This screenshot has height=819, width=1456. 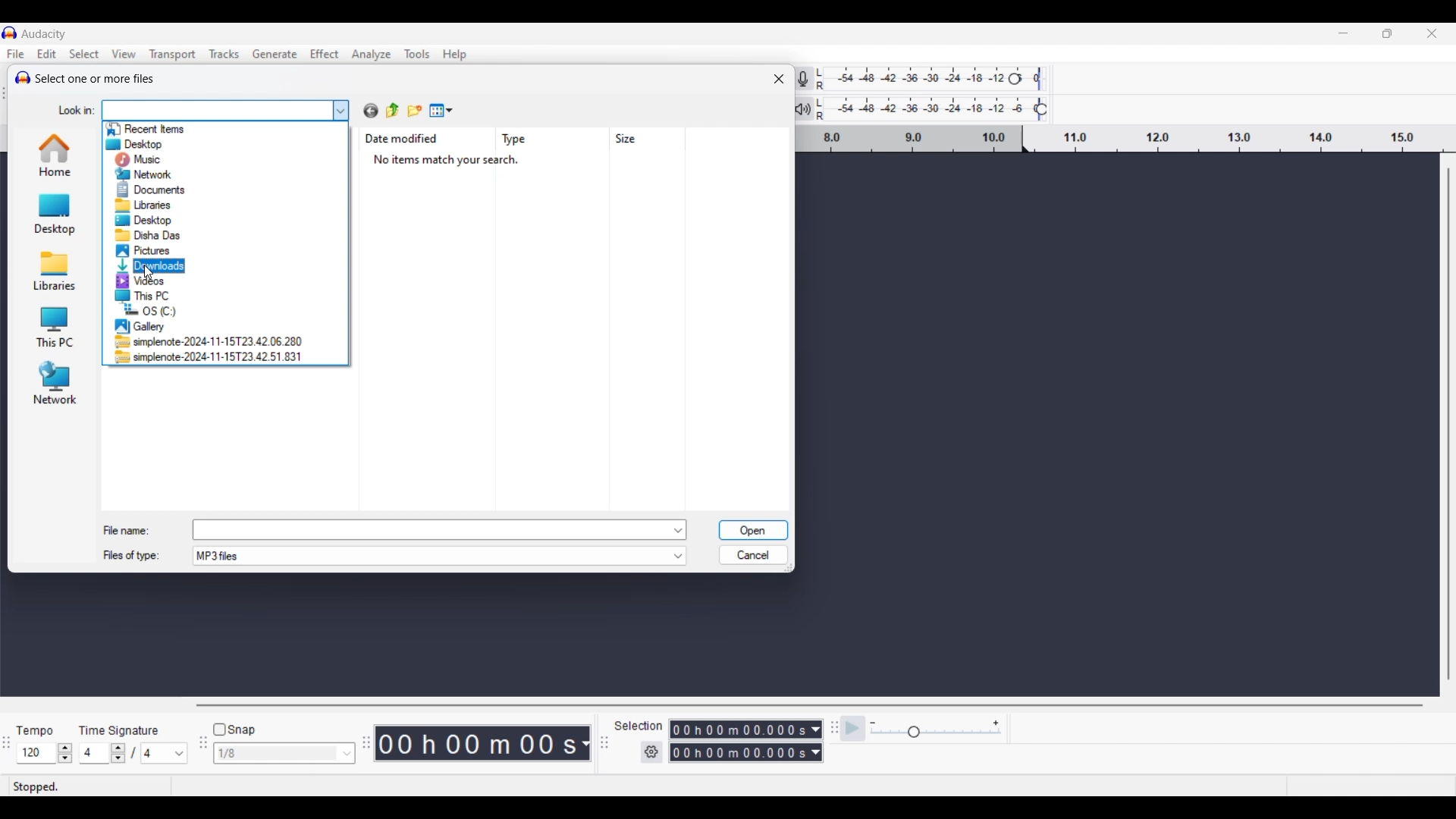 What do you see at coordinates (212, 341) in the screenshot?
I see `simplenote-2024-11-15123.42.06.280` at bounding box center [212, 341].